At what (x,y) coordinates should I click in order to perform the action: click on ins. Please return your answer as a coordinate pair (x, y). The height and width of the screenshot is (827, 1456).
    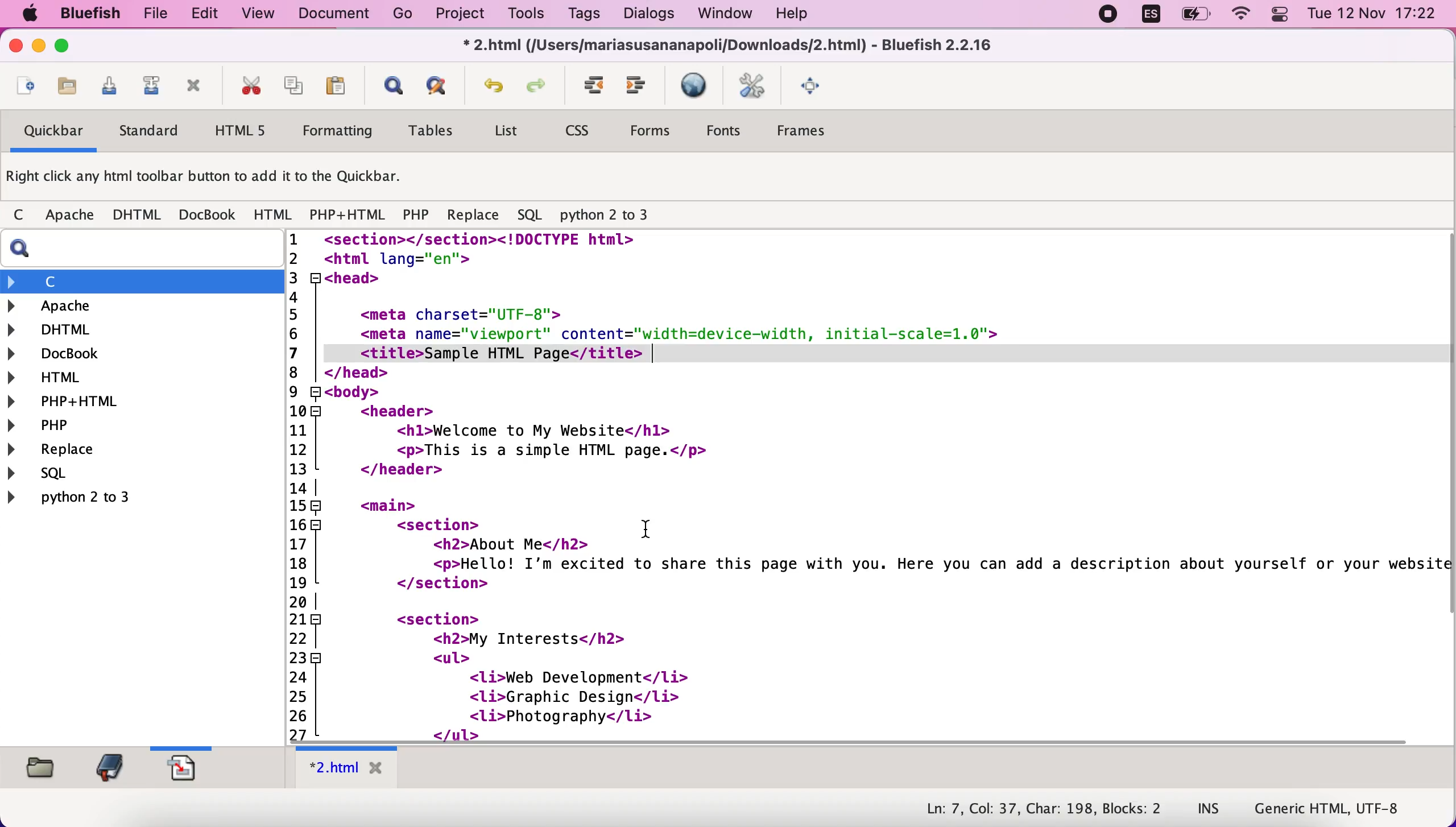
    Looking at the image, I should click on (1209, 811).